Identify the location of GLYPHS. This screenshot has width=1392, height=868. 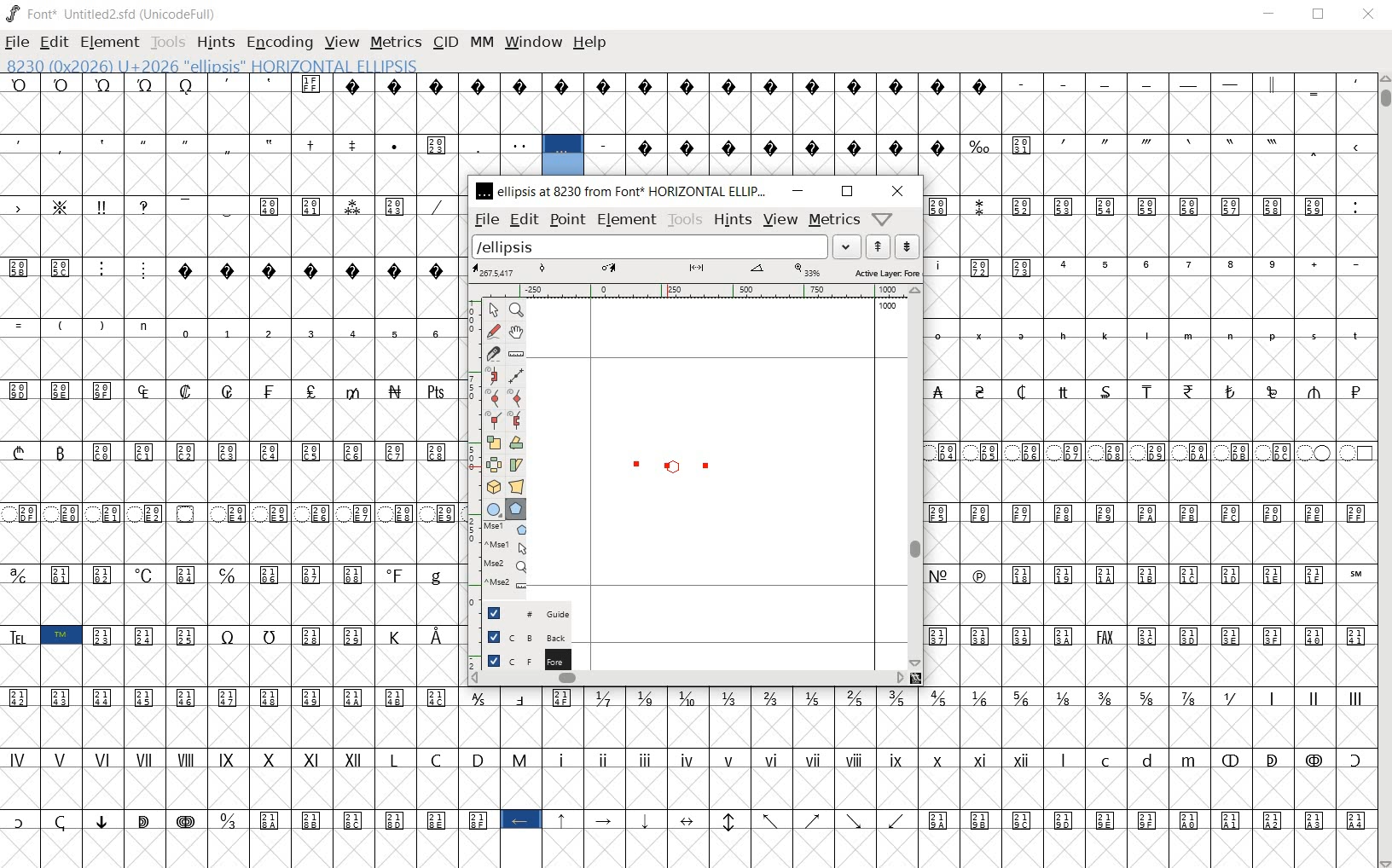
(225, 464).